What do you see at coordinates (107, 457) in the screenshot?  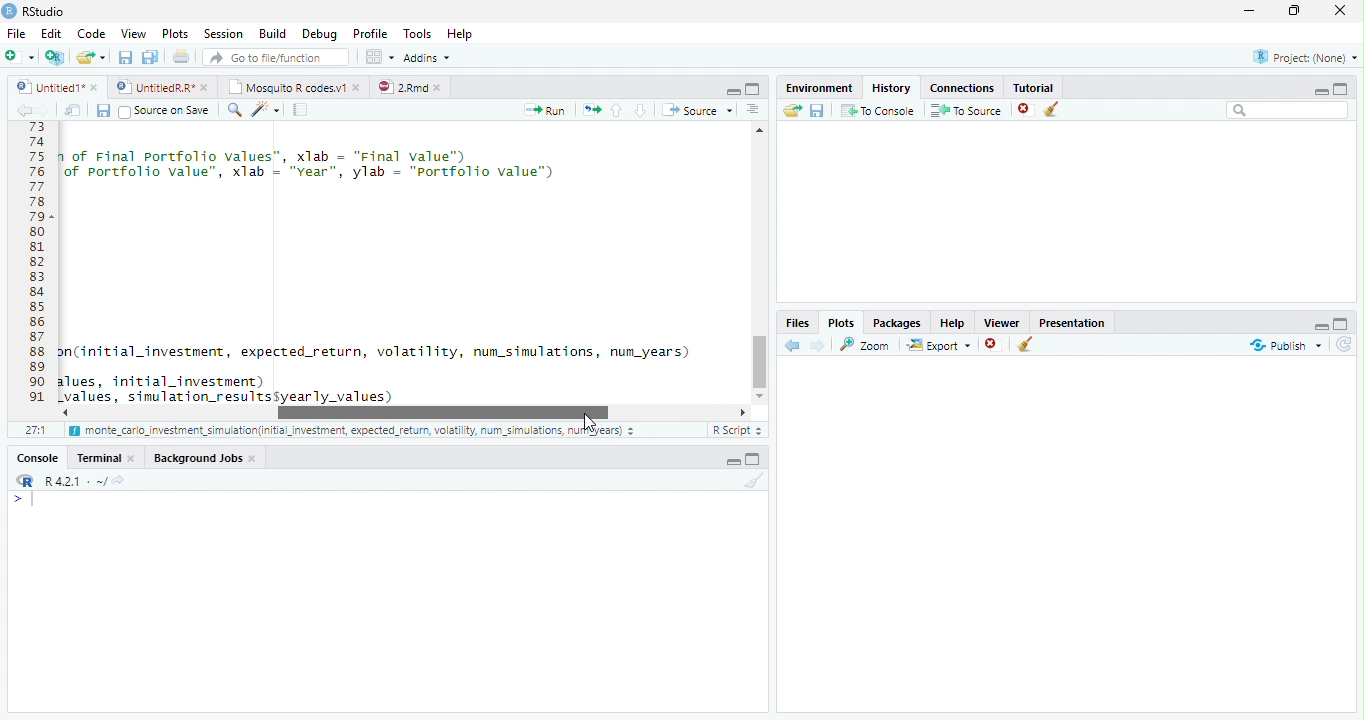 I see `Terminal` at bounding box center [107, 457].